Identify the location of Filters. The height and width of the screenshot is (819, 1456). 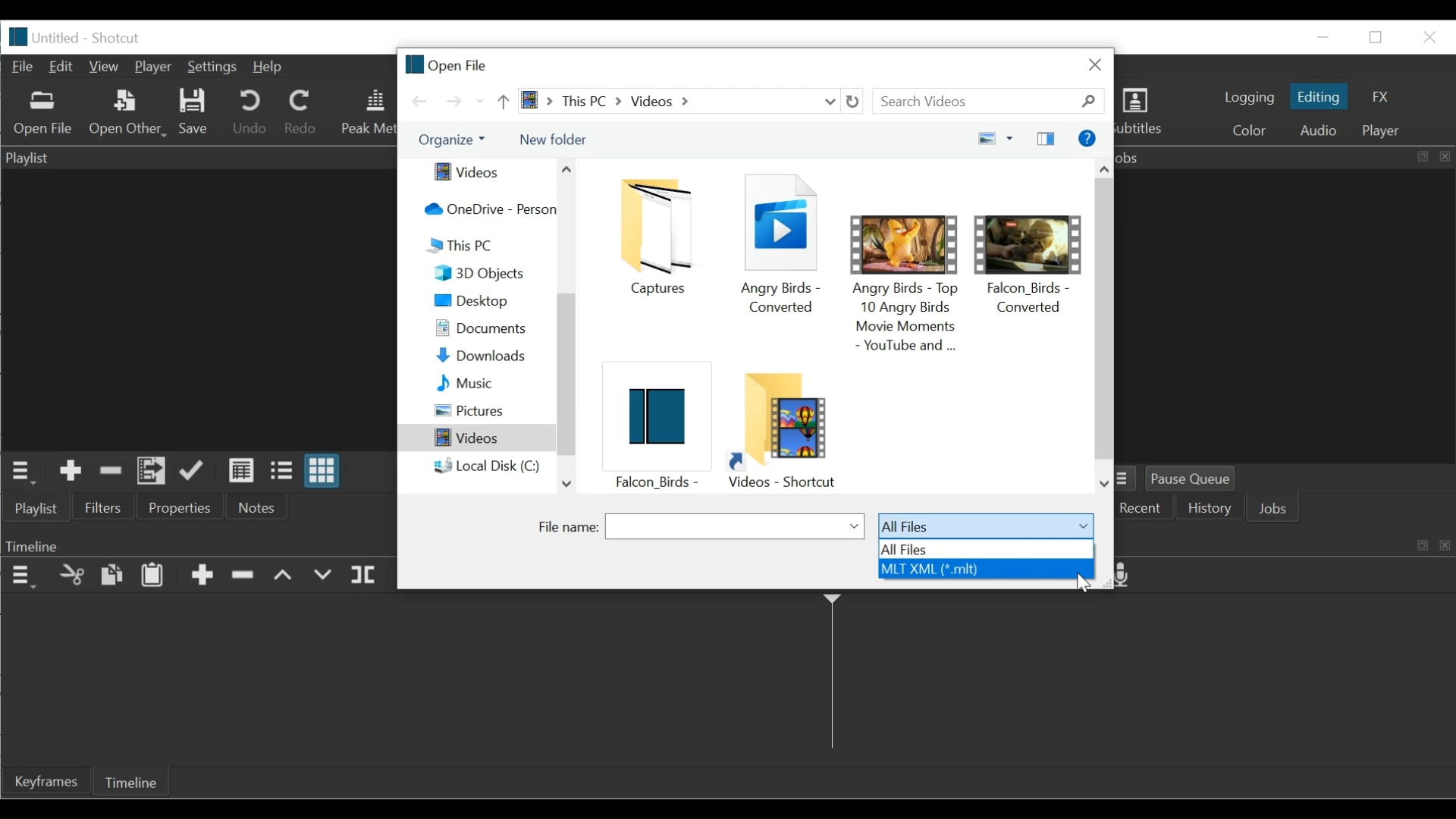
(102, 506).